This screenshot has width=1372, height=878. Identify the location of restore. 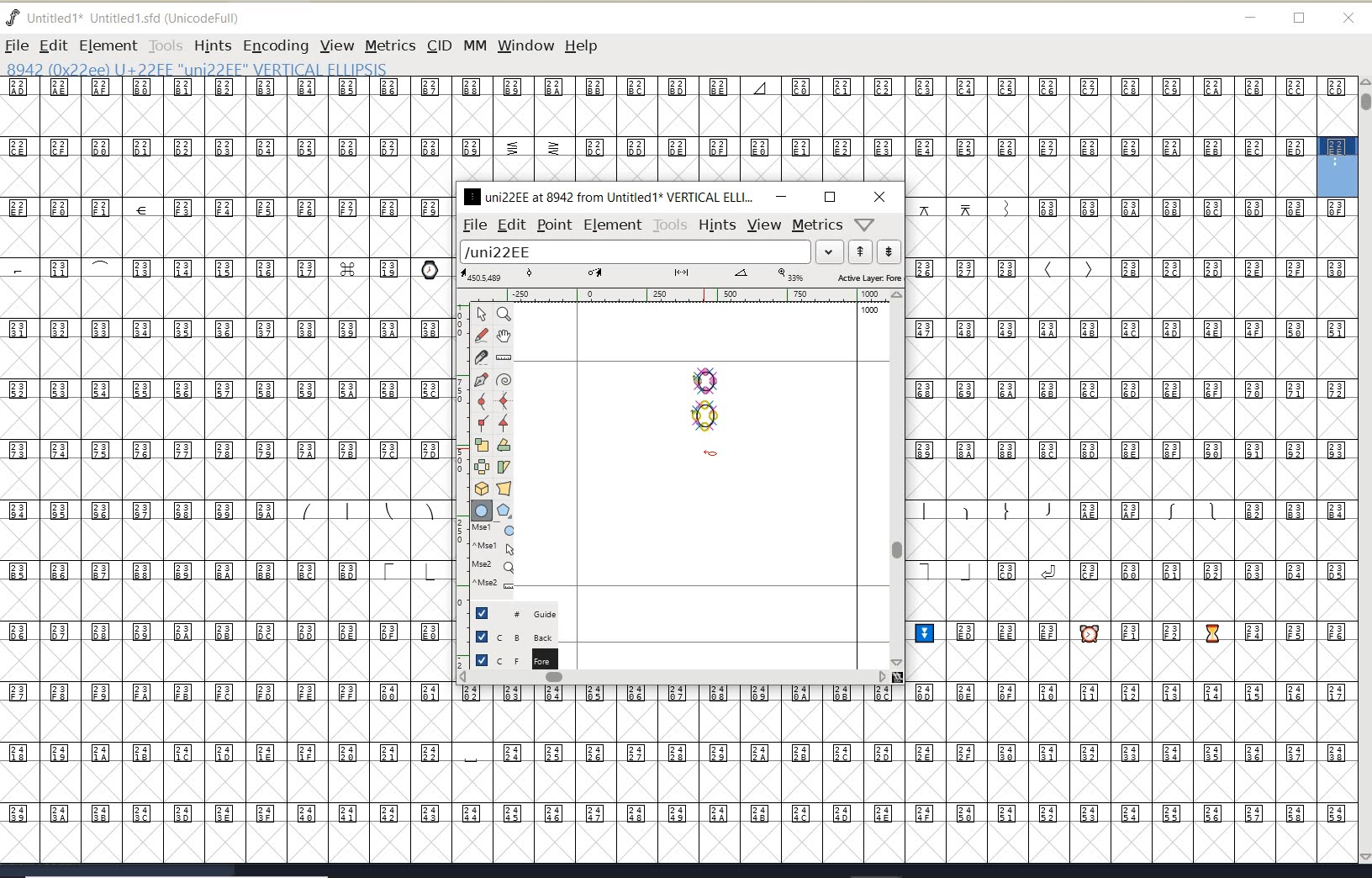
(830, 197).